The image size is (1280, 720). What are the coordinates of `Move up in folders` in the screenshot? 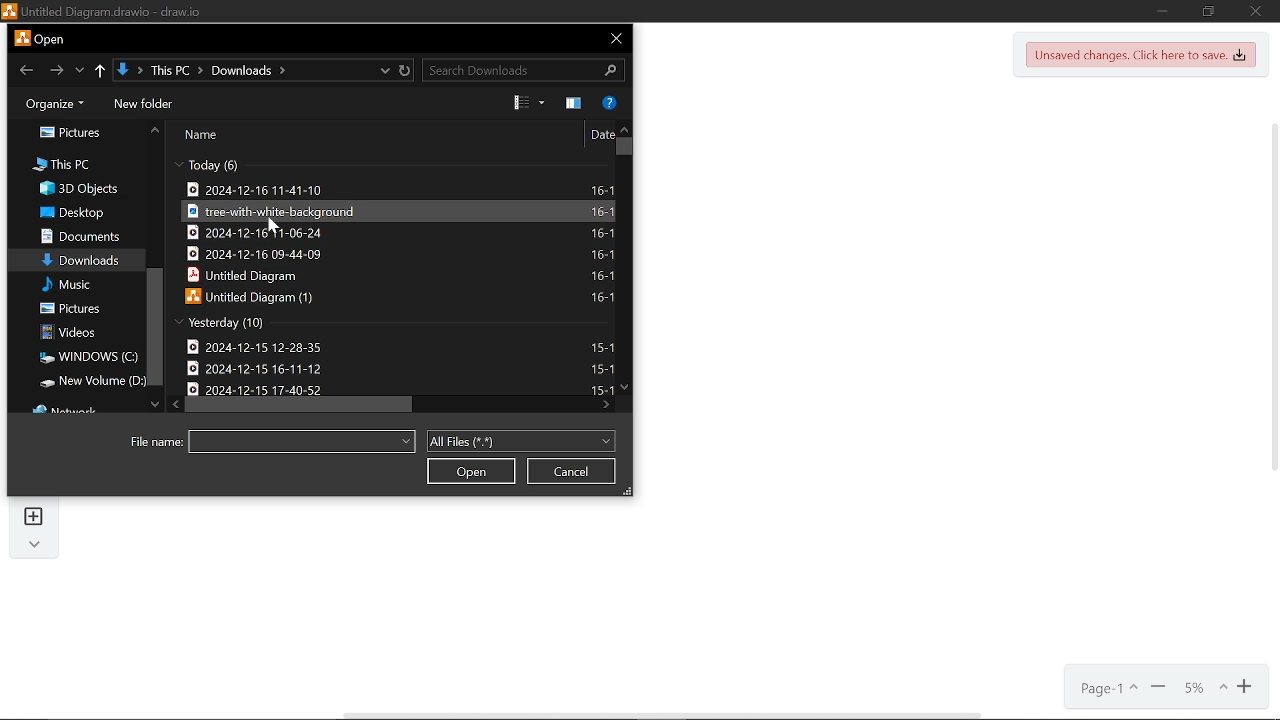 It's located at (154, 129).